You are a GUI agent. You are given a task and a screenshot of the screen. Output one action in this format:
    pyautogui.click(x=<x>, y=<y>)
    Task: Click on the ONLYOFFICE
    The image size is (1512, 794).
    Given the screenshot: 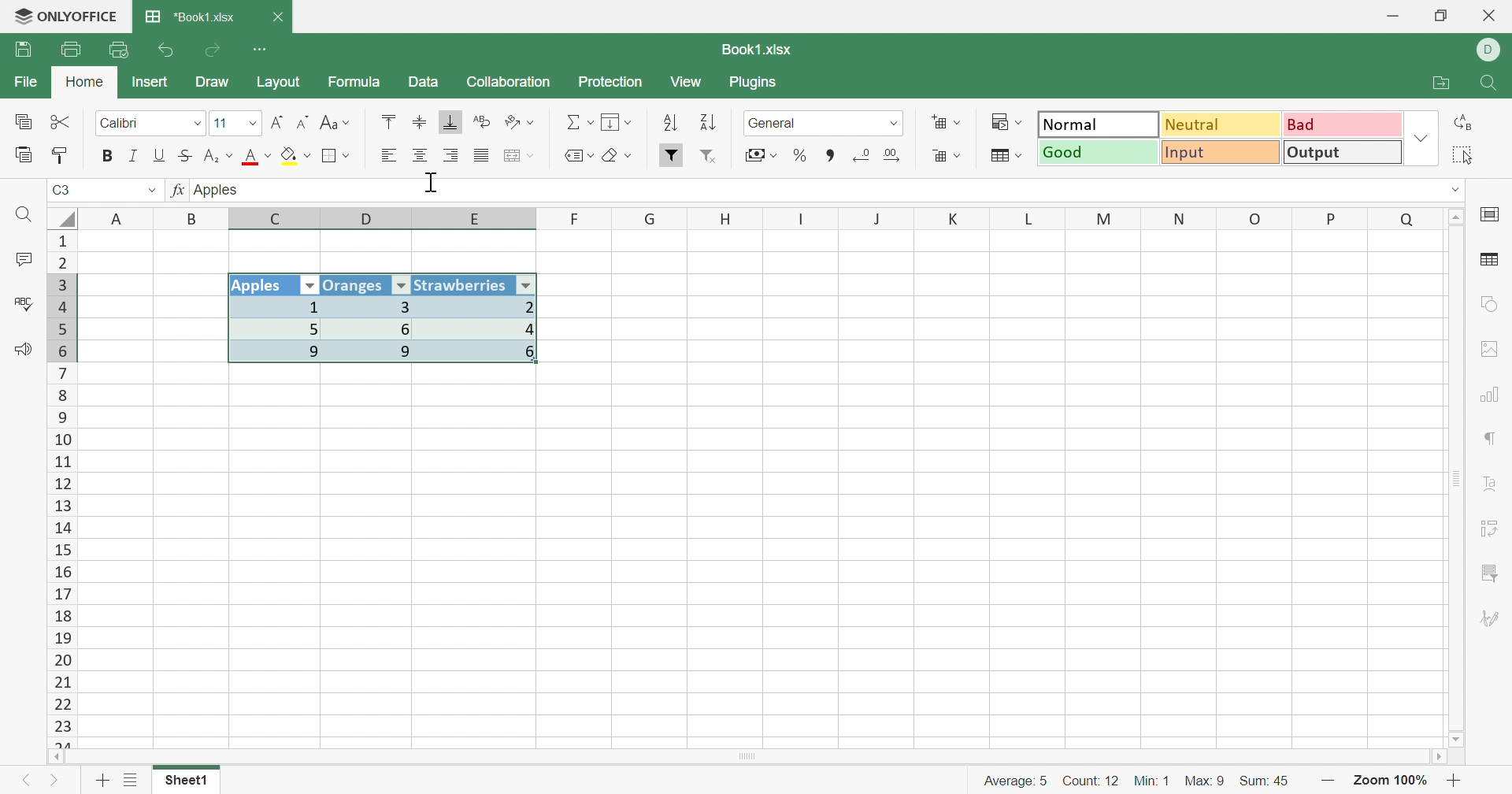 What is the action you would take?
    pyautogui.click(x=65, y=17)
    